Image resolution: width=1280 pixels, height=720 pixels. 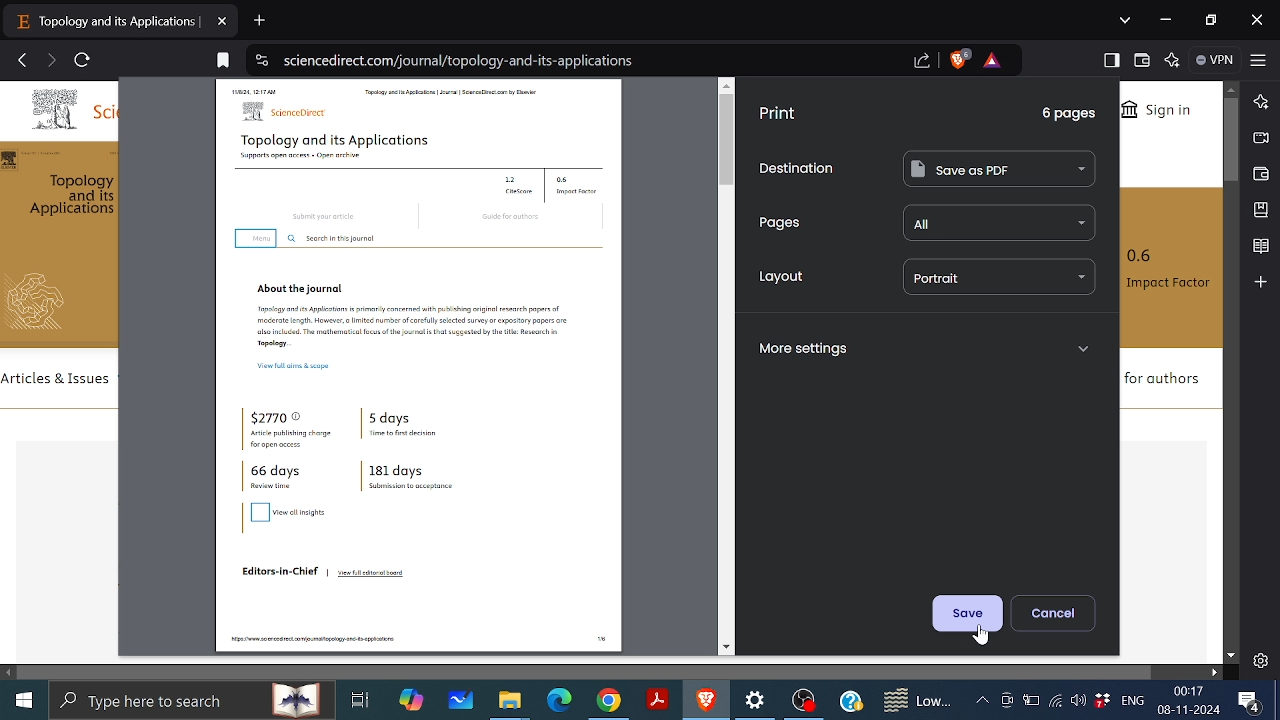 I want to click on Start, so click(x=24, y=701).